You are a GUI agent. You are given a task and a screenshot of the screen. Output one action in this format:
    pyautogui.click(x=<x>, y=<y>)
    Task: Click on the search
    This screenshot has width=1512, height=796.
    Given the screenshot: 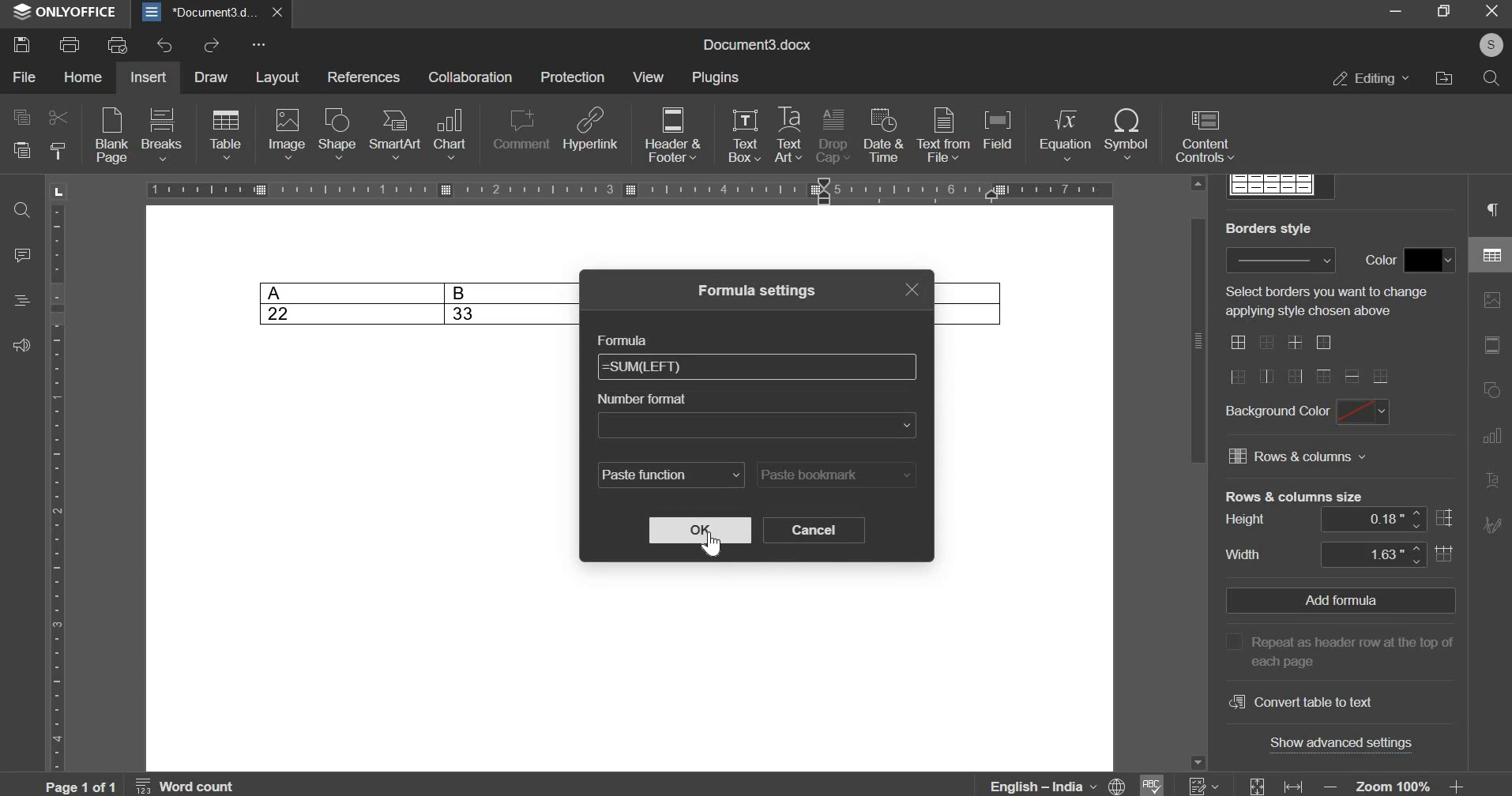 What is the action you would take?
    pyautogui.click(x=1493, y=80)
    